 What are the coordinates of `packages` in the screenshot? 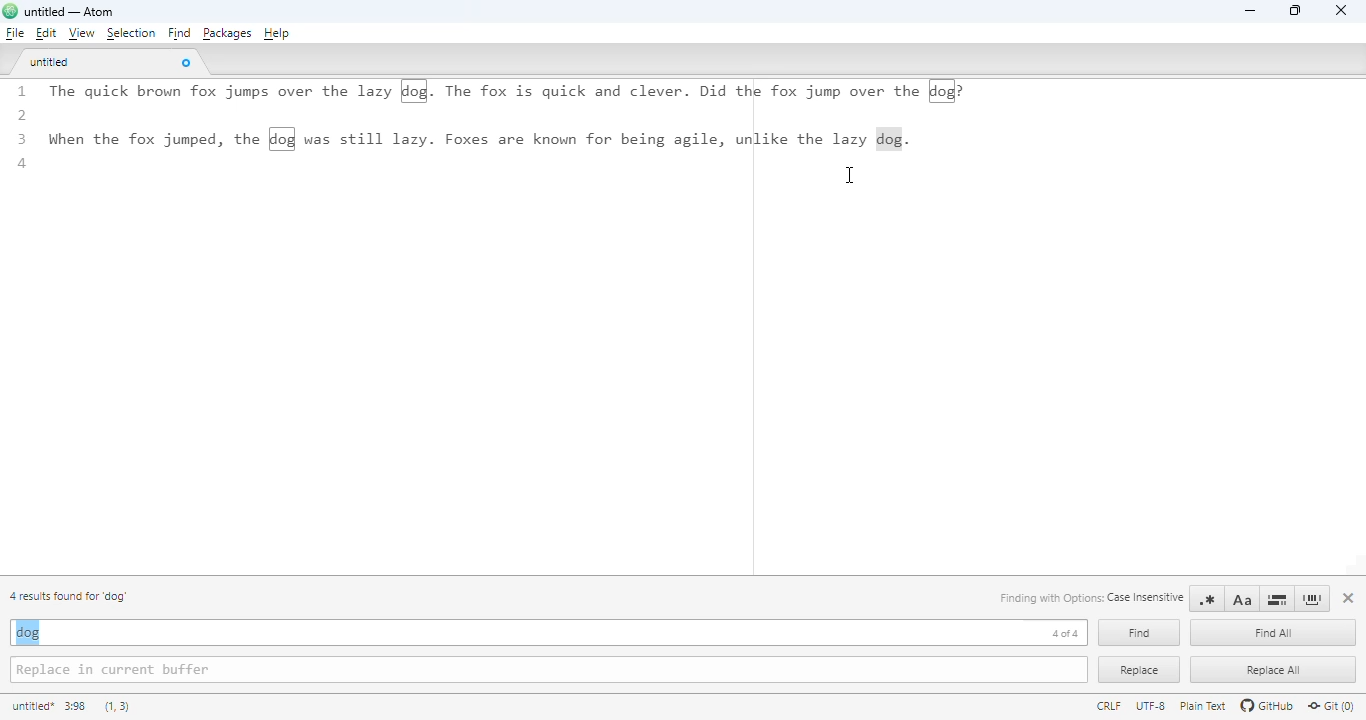 It's located at (227, 33).